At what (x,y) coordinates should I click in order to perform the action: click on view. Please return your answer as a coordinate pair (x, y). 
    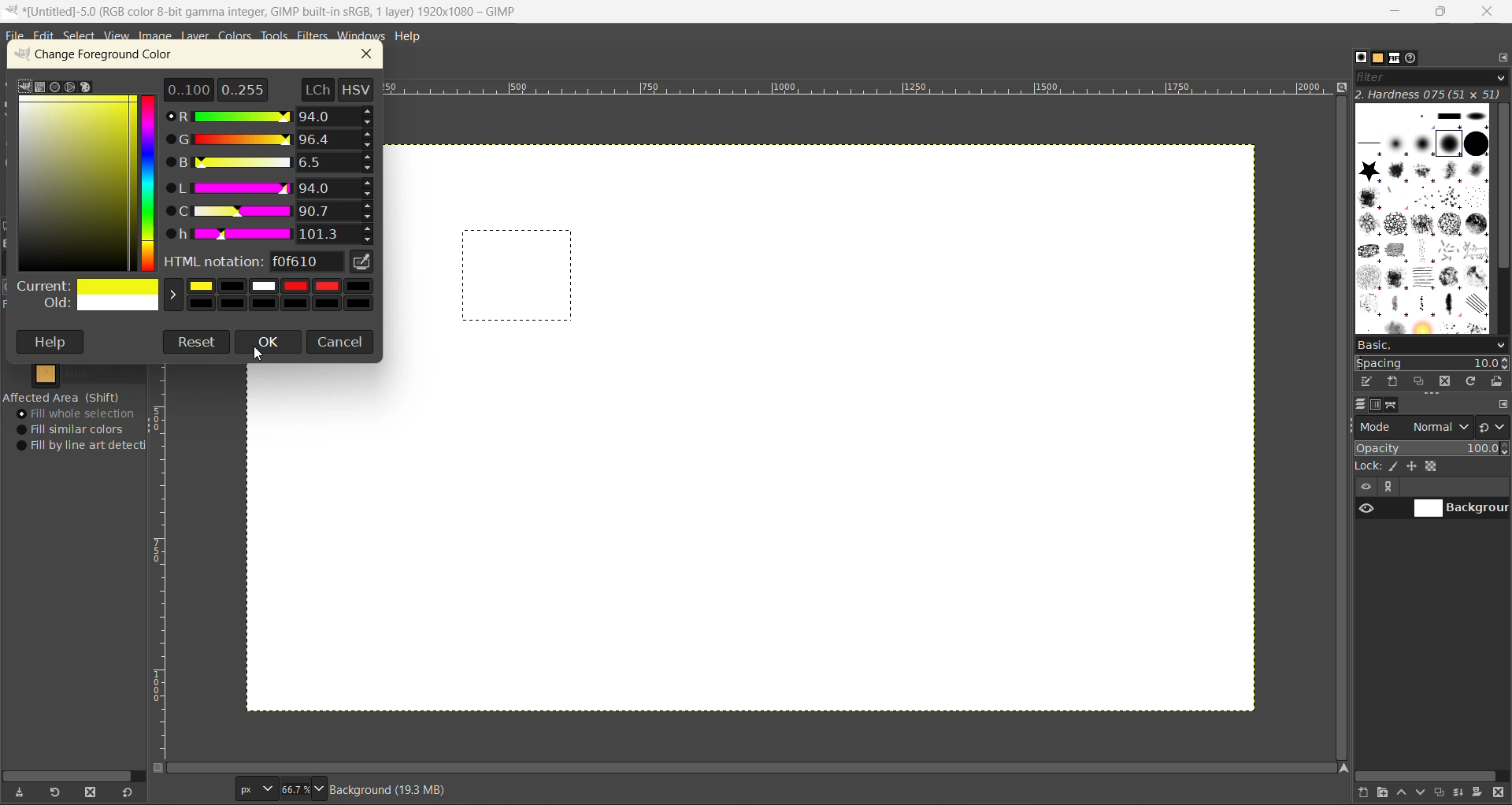
    Looking at the image, I should click on (115, 36).